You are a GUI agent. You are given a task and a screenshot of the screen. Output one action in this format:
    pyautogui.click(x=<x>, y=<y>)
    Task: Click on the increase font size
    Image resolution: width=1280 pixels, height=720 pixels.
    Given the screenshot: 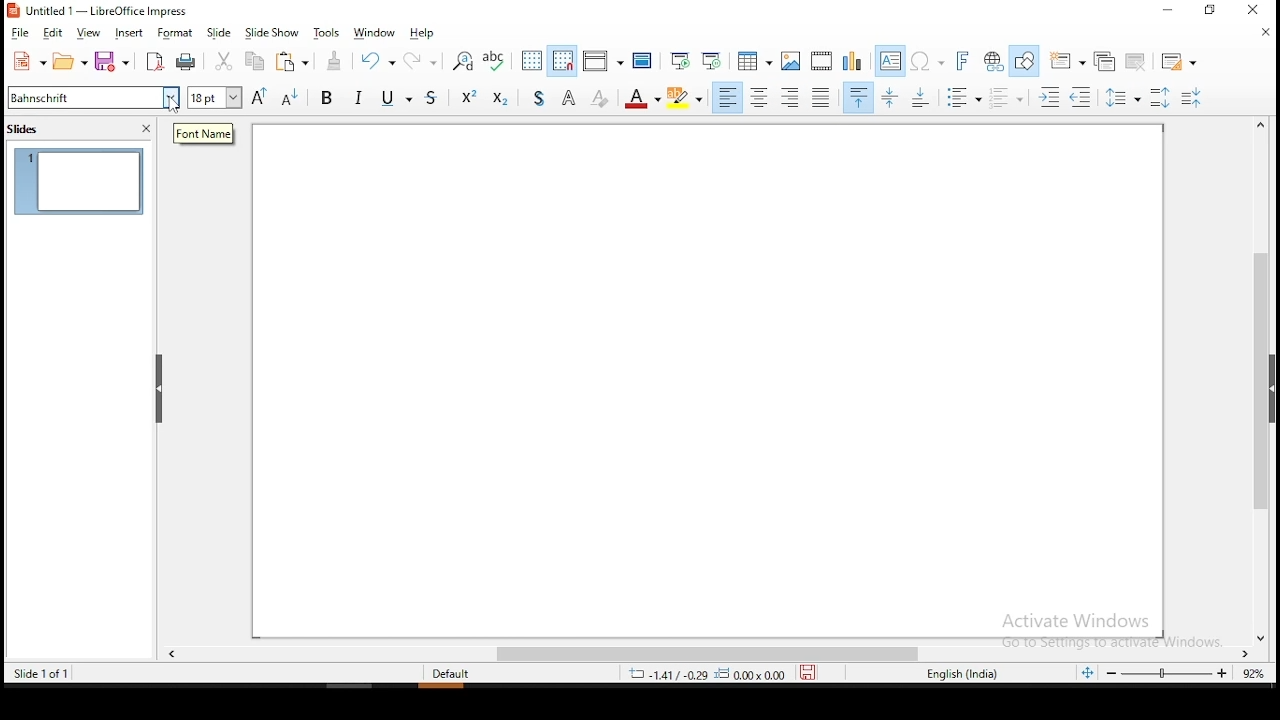 What is the action you would take?
    pyautogui.click(x=259, y=96)
    